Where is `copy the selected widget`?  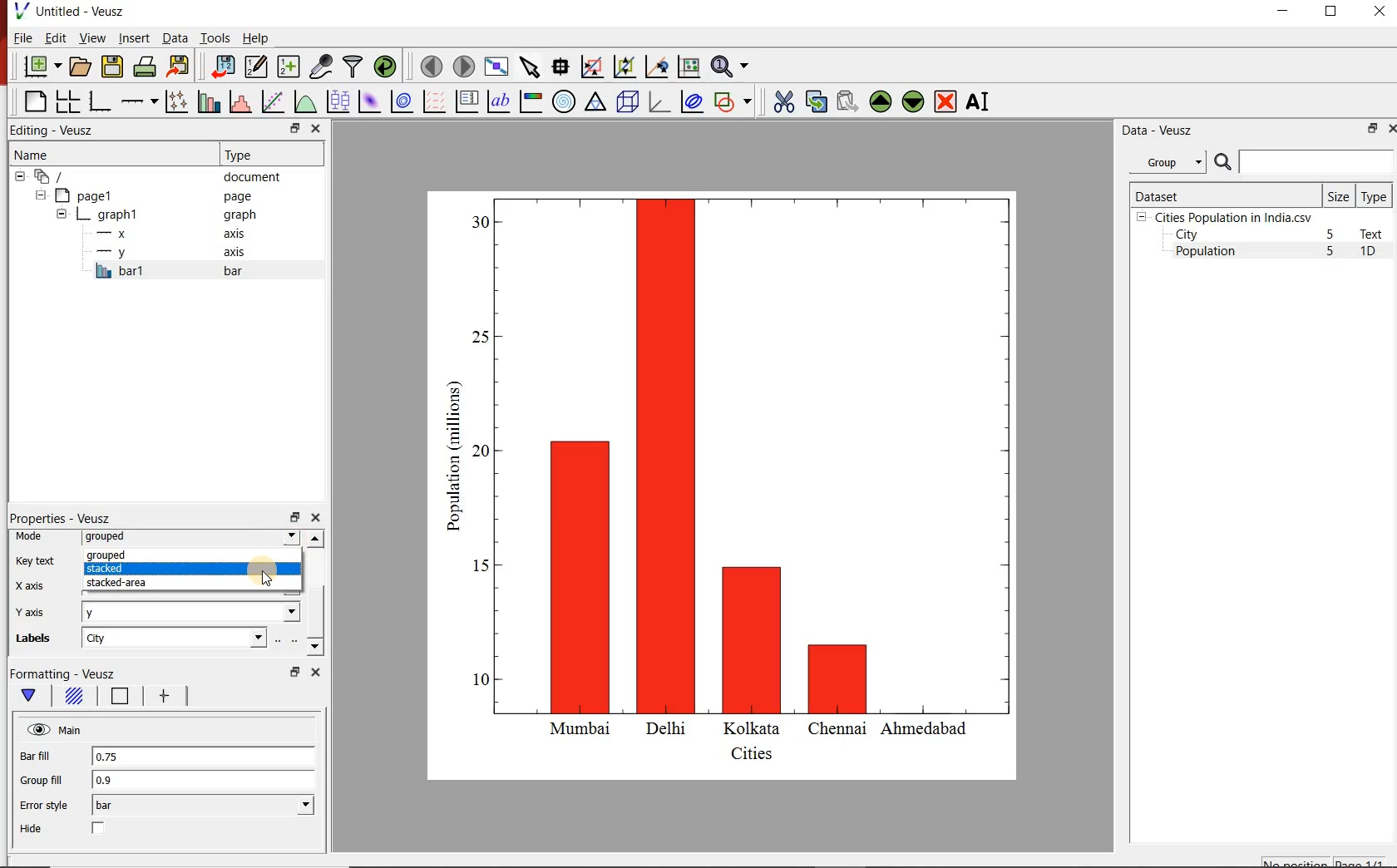
copy the selected widget is located at coordinates (815, 100).